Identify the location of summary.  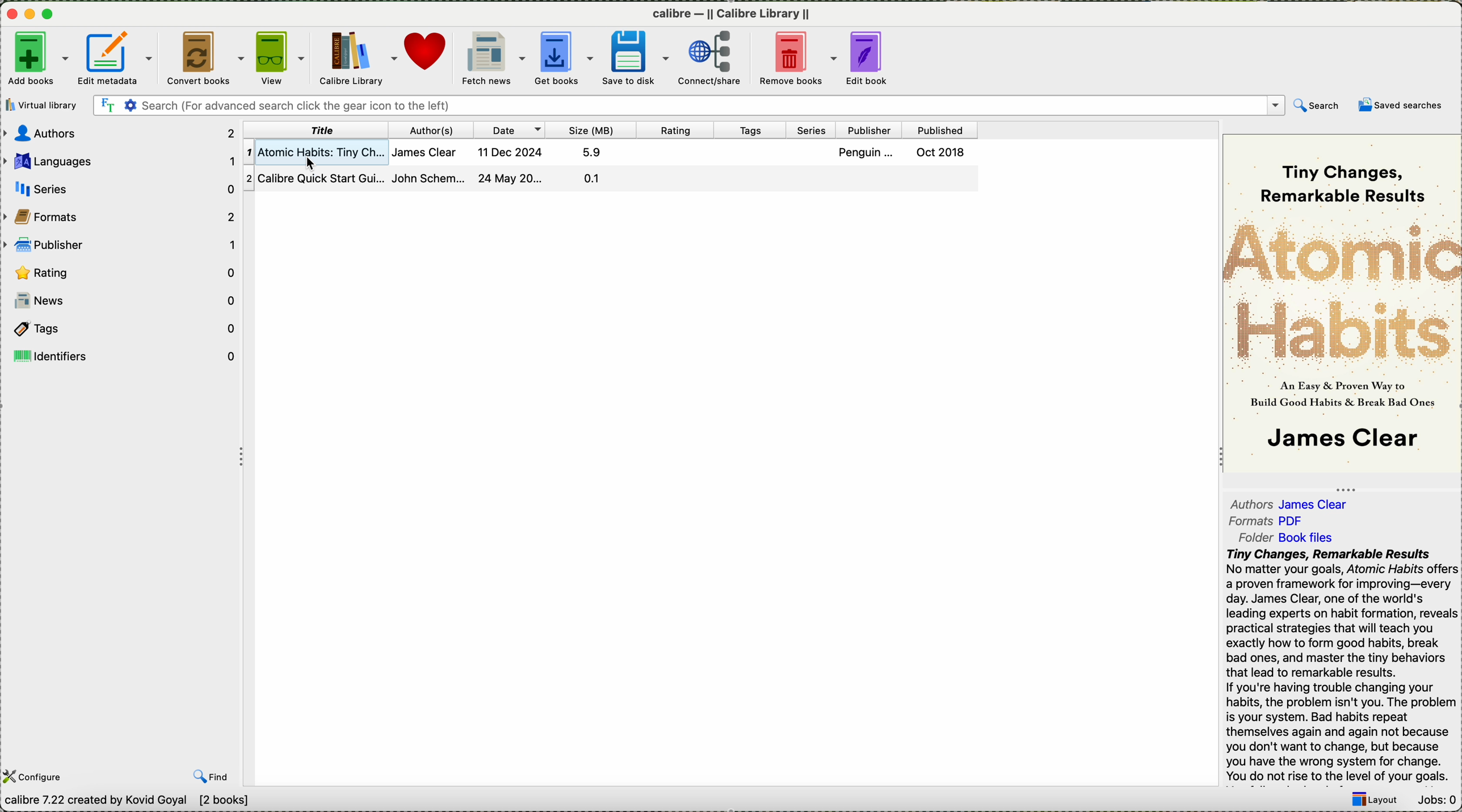
(1342, 665).